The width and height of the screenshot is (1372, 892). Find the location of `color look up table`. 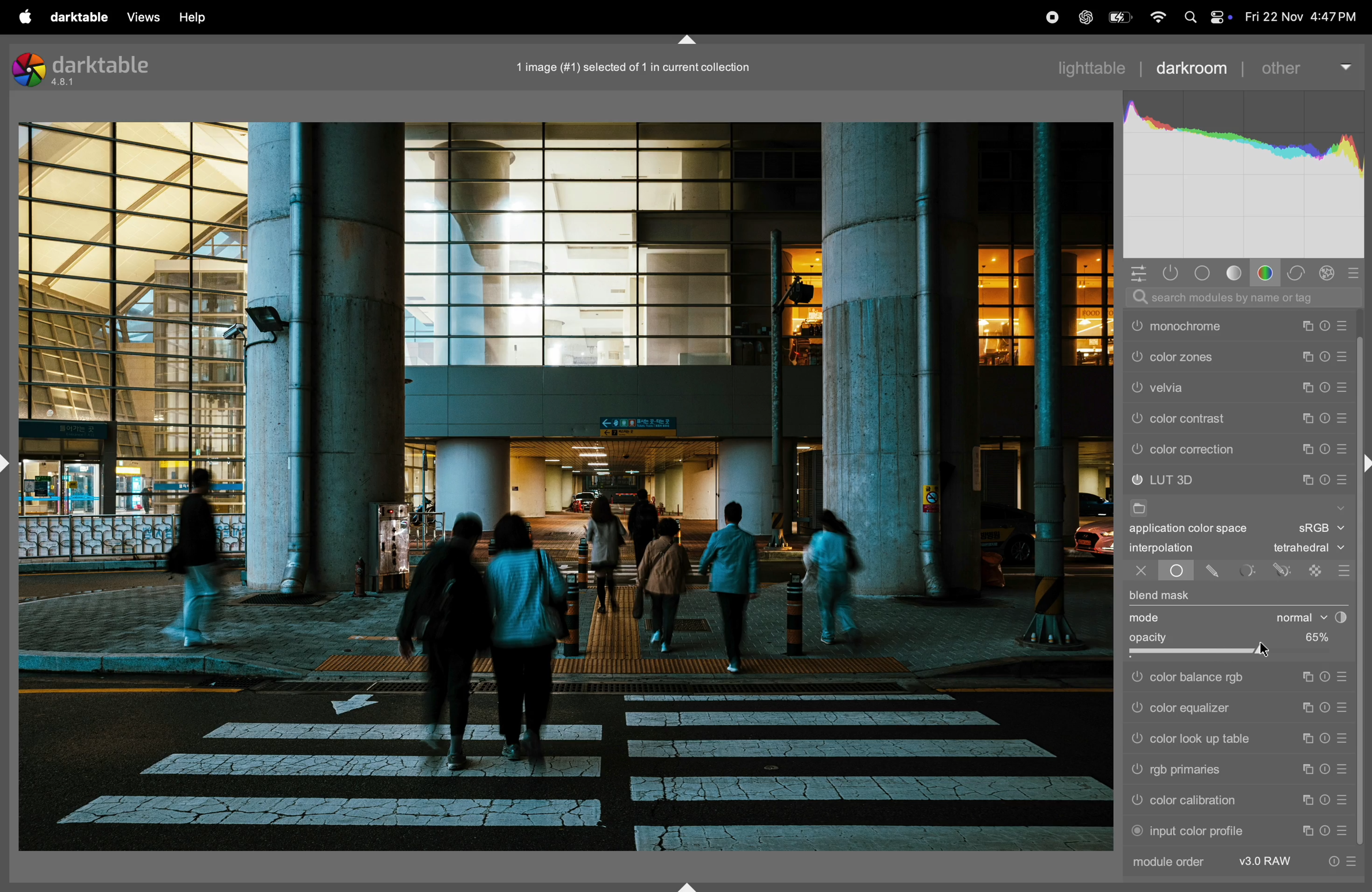

color look up table is located at coordinates (1208, 739).